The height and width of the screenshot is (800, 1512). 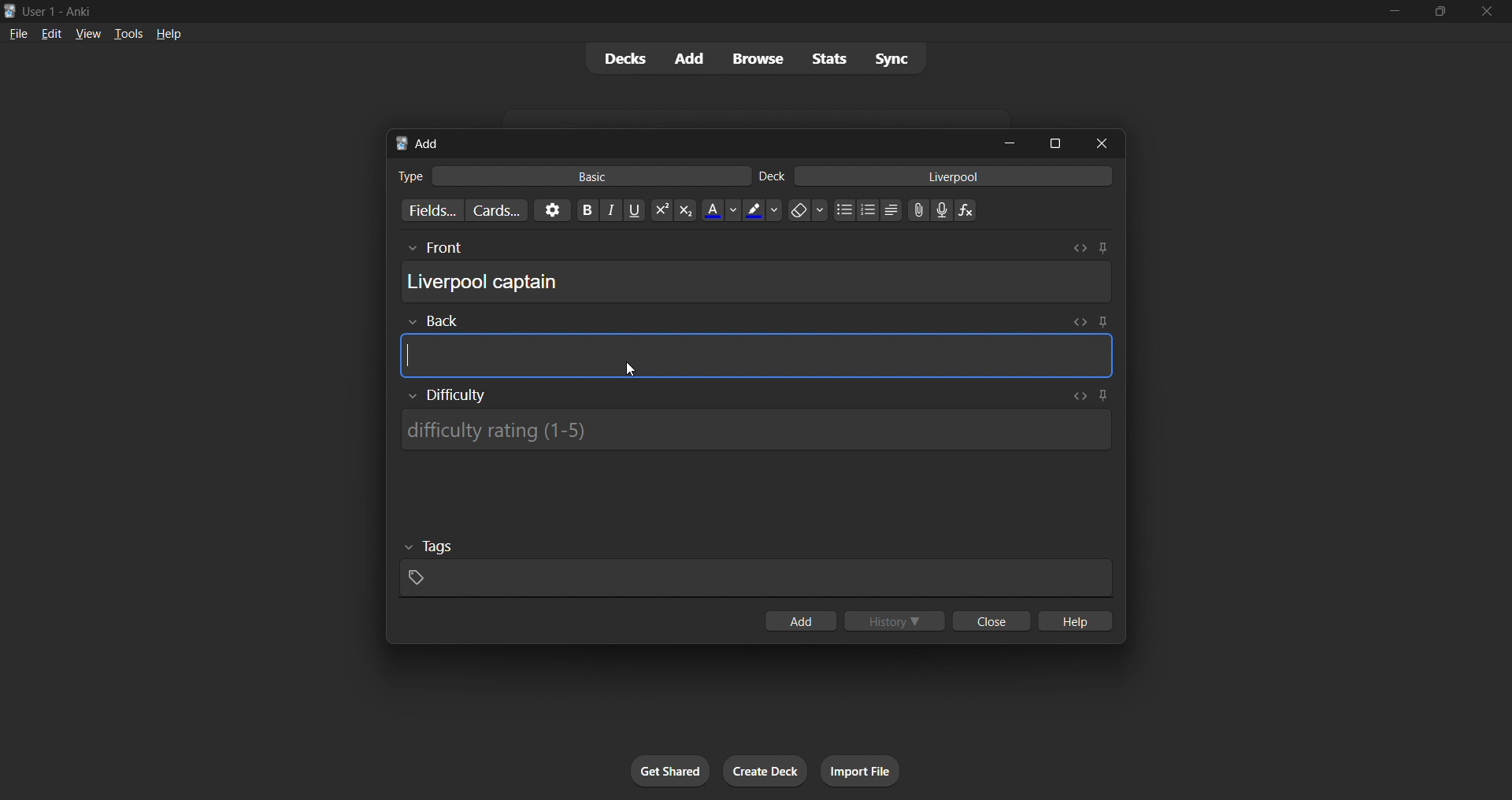 I want to click on Alignment, so click(x=891, y=210).